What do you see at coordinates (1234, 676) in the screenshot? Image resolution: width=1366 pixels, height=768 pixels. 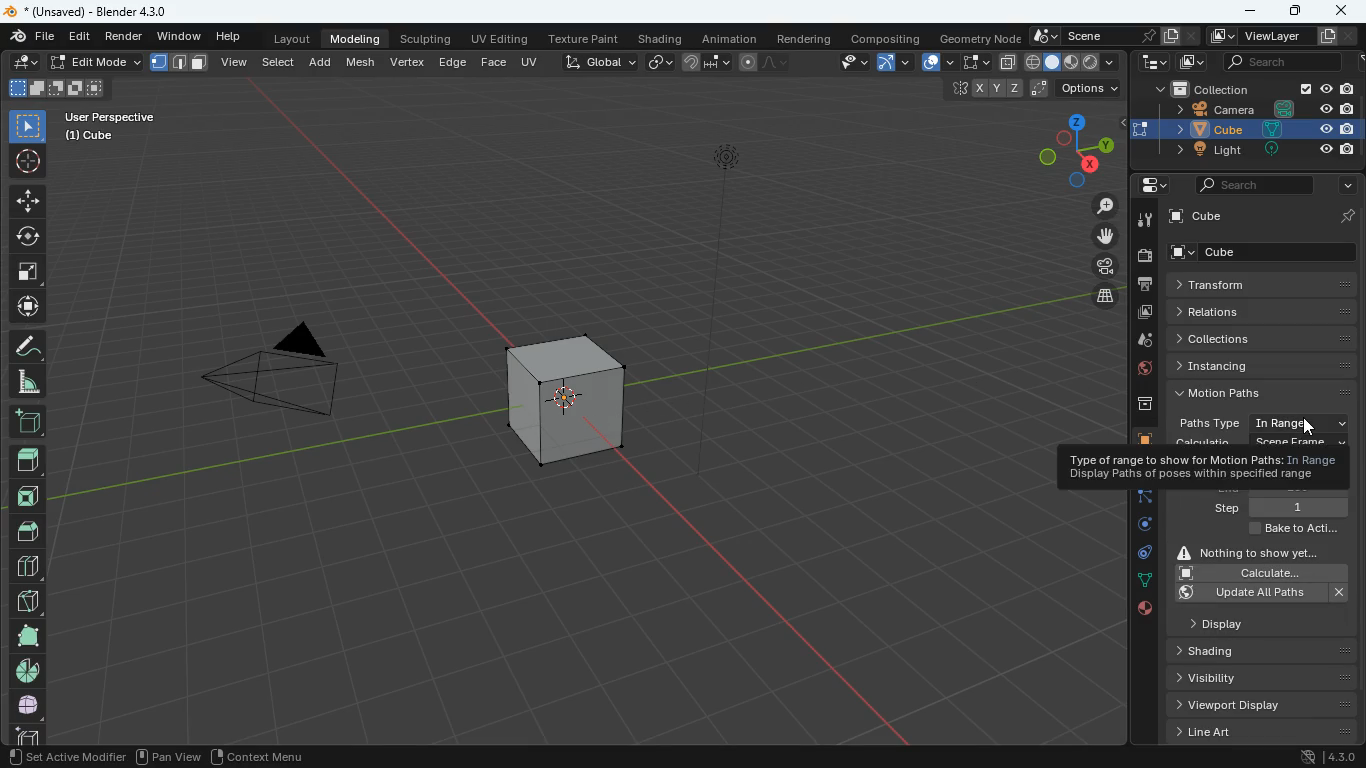 I see `Visiblity` at bounding box center [1234, 676].